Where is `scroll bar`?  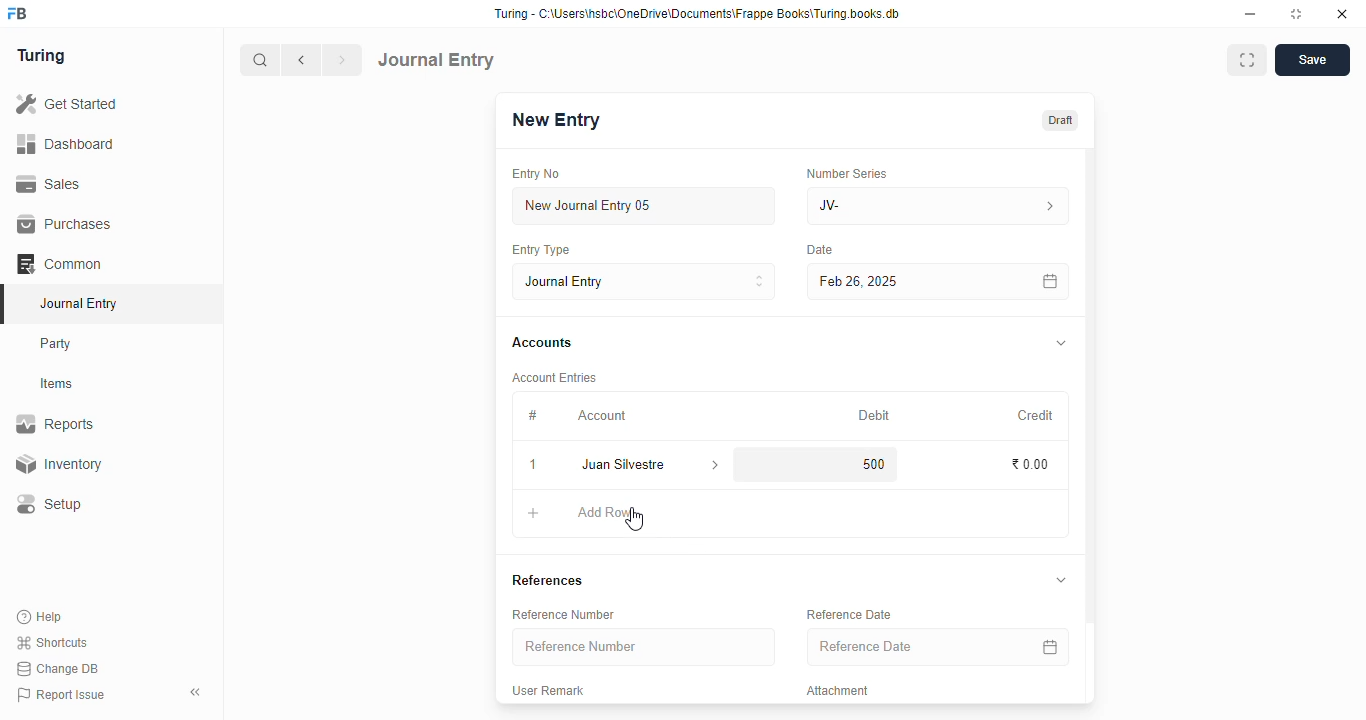
scroll bar is located at coordinates (1091, 424).